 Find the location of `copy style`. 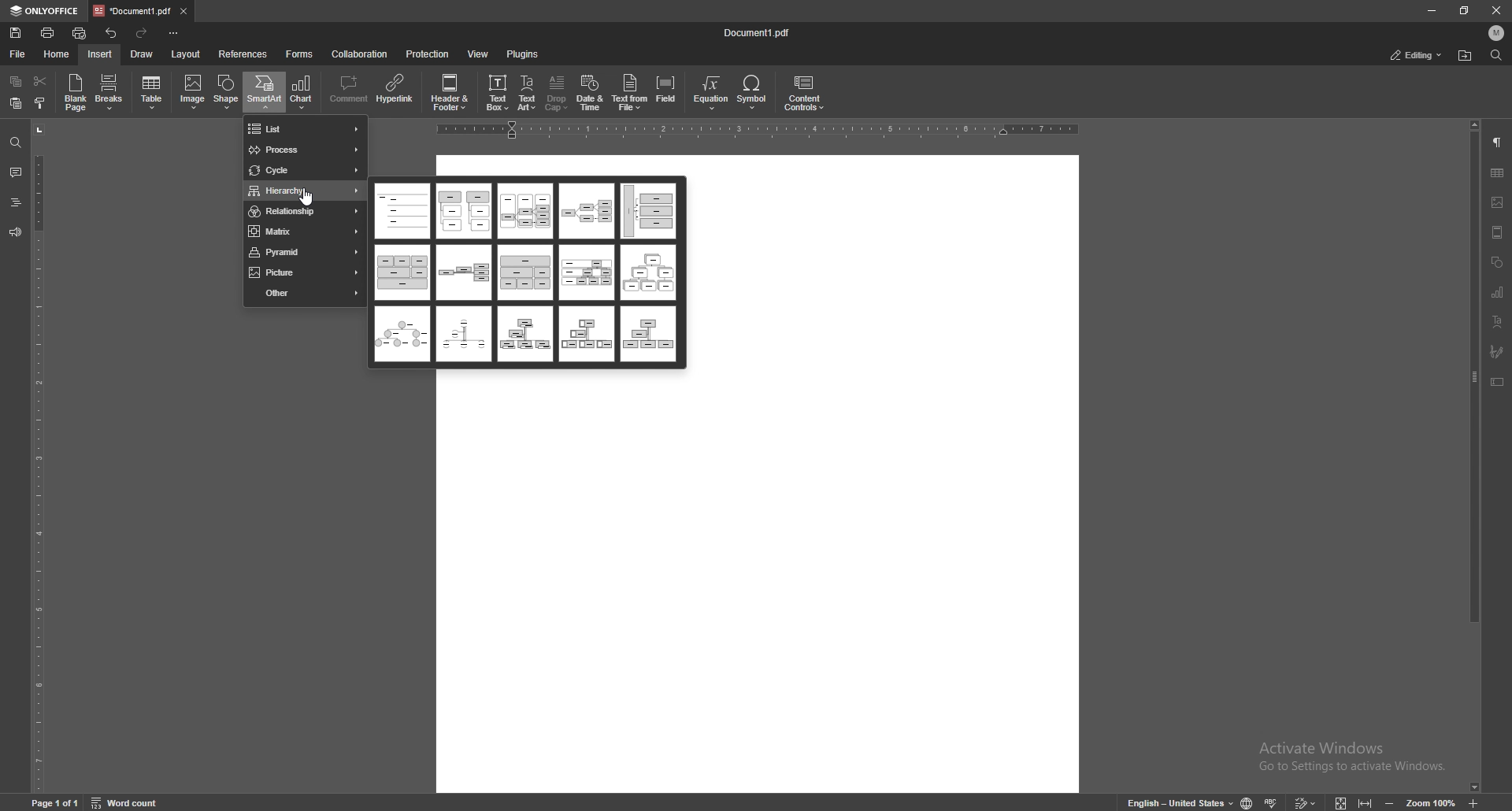

copy style is located at coordinates (41, 102).